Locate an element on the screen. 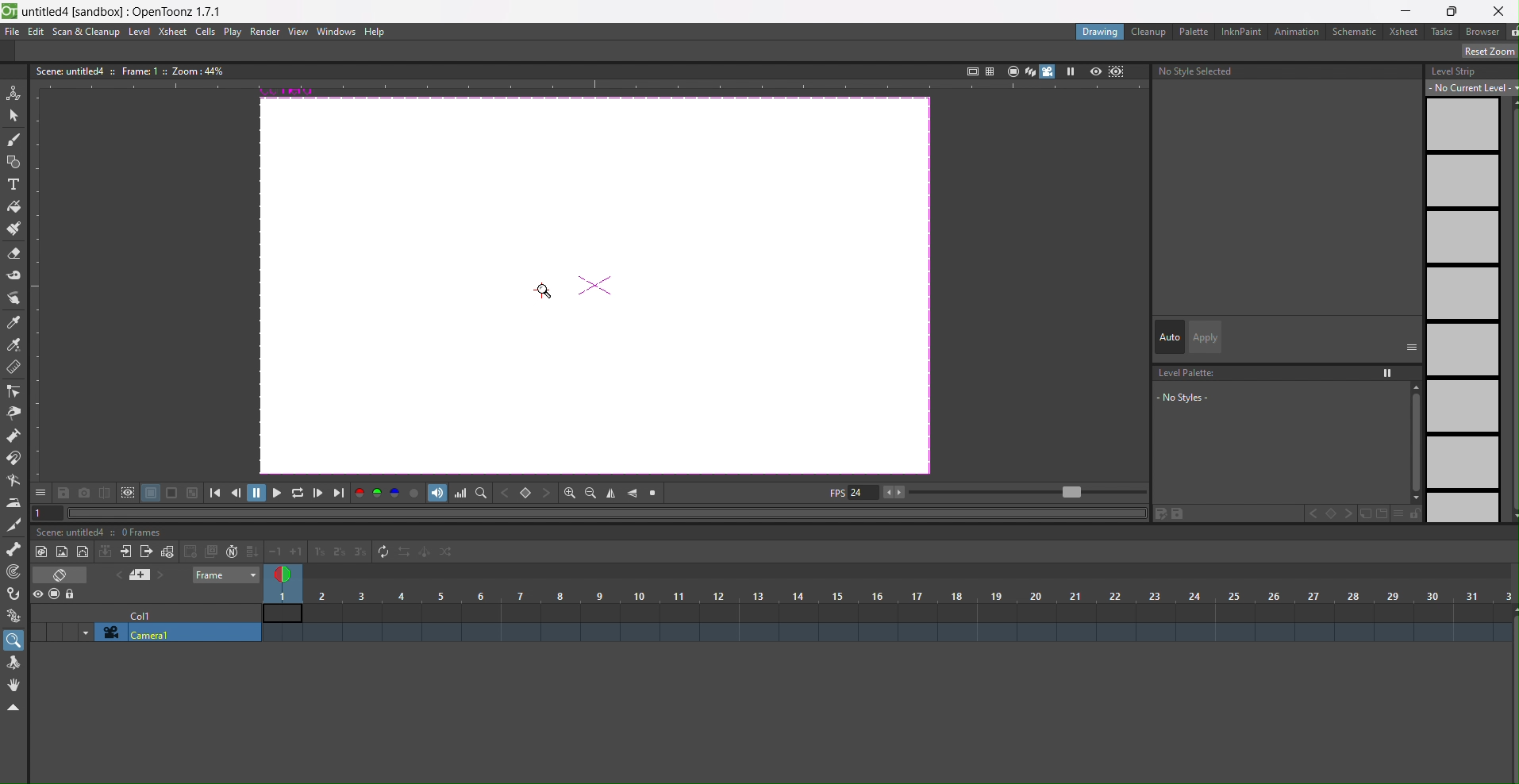 The image size is (1519, 784). previous sub xsheet is located at coordinates (127, 552).